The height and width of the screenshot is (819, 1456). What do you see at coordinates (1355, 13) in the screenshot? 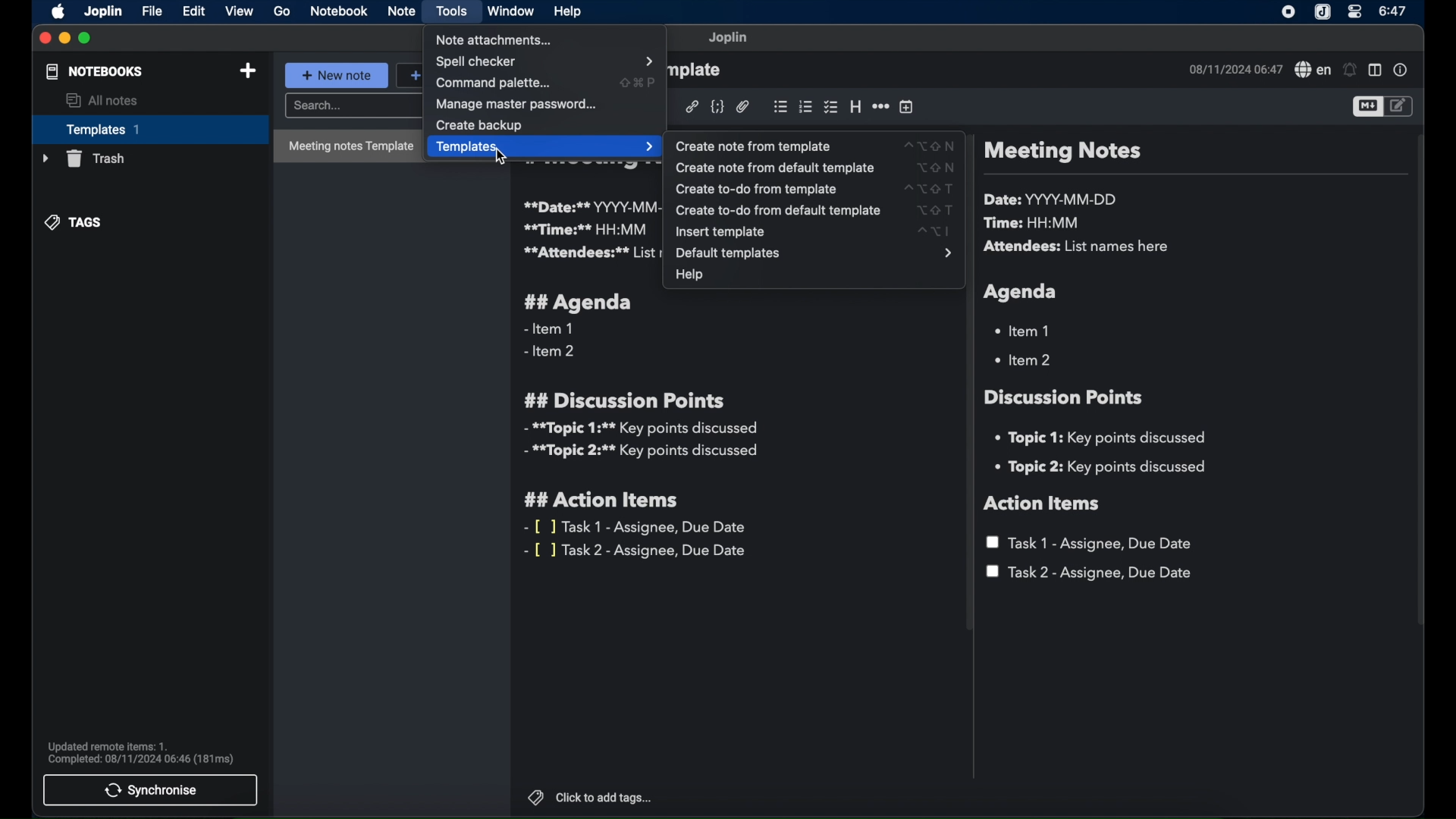
I see `control center` at bounding box center [1355, 13].